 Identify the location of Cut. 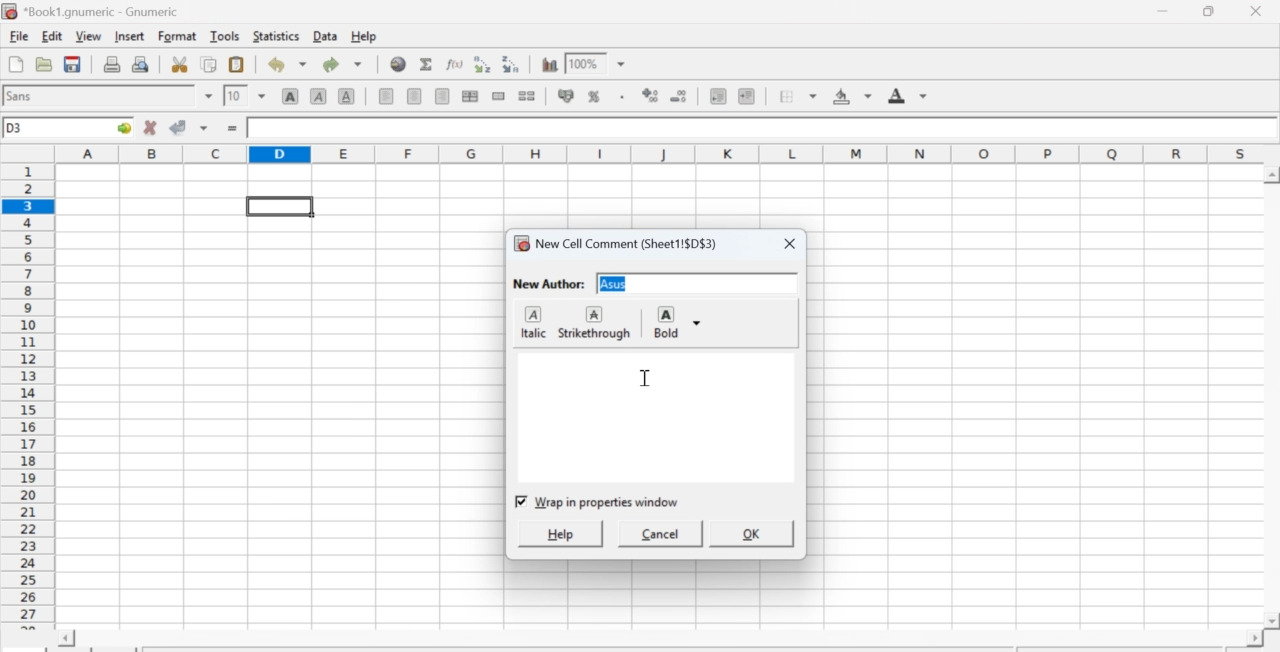
(180, 64).